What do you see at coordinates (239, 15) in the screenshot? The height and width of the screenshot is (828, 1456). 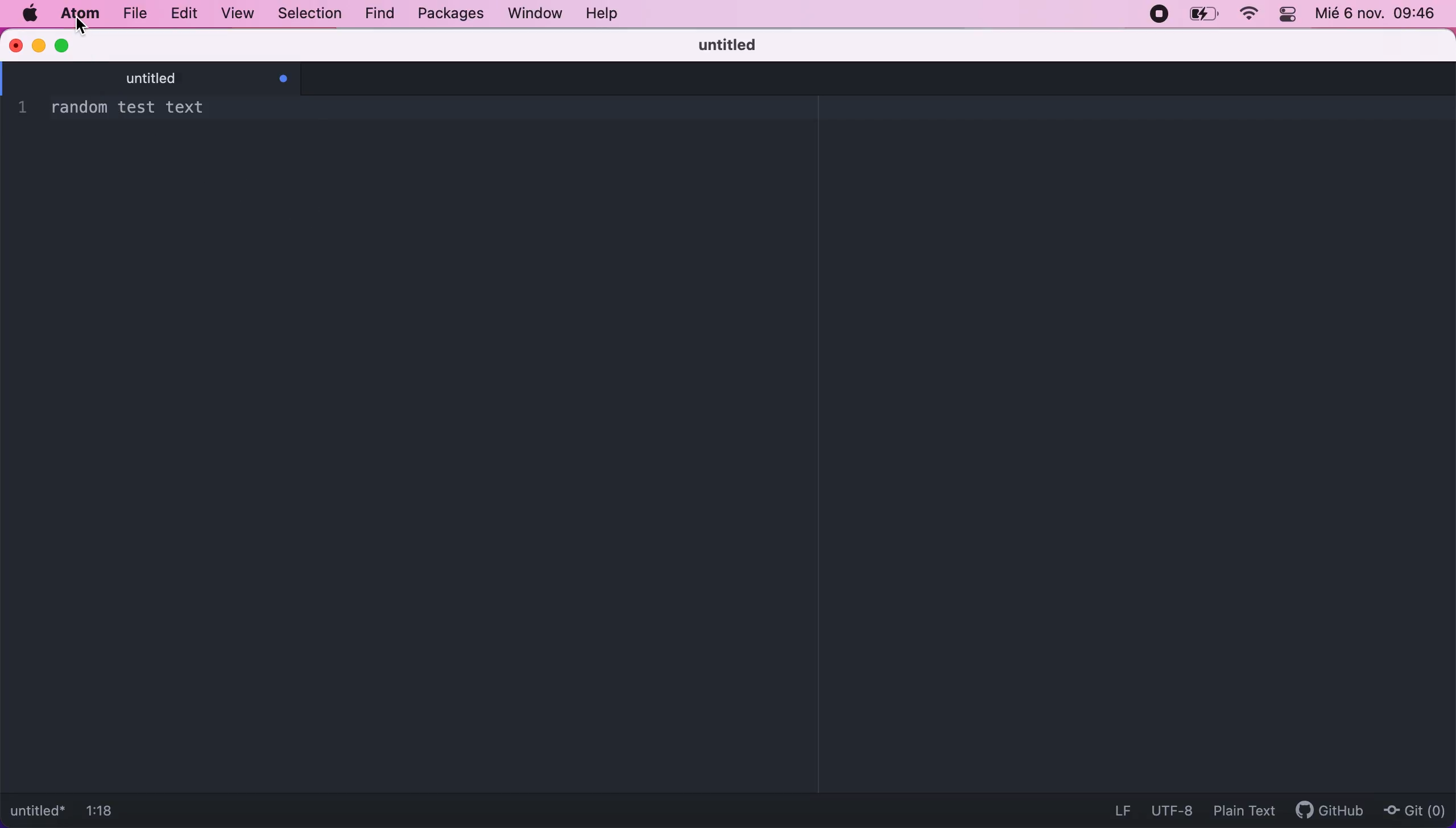 I see `view` at bounding box center [239, 15].